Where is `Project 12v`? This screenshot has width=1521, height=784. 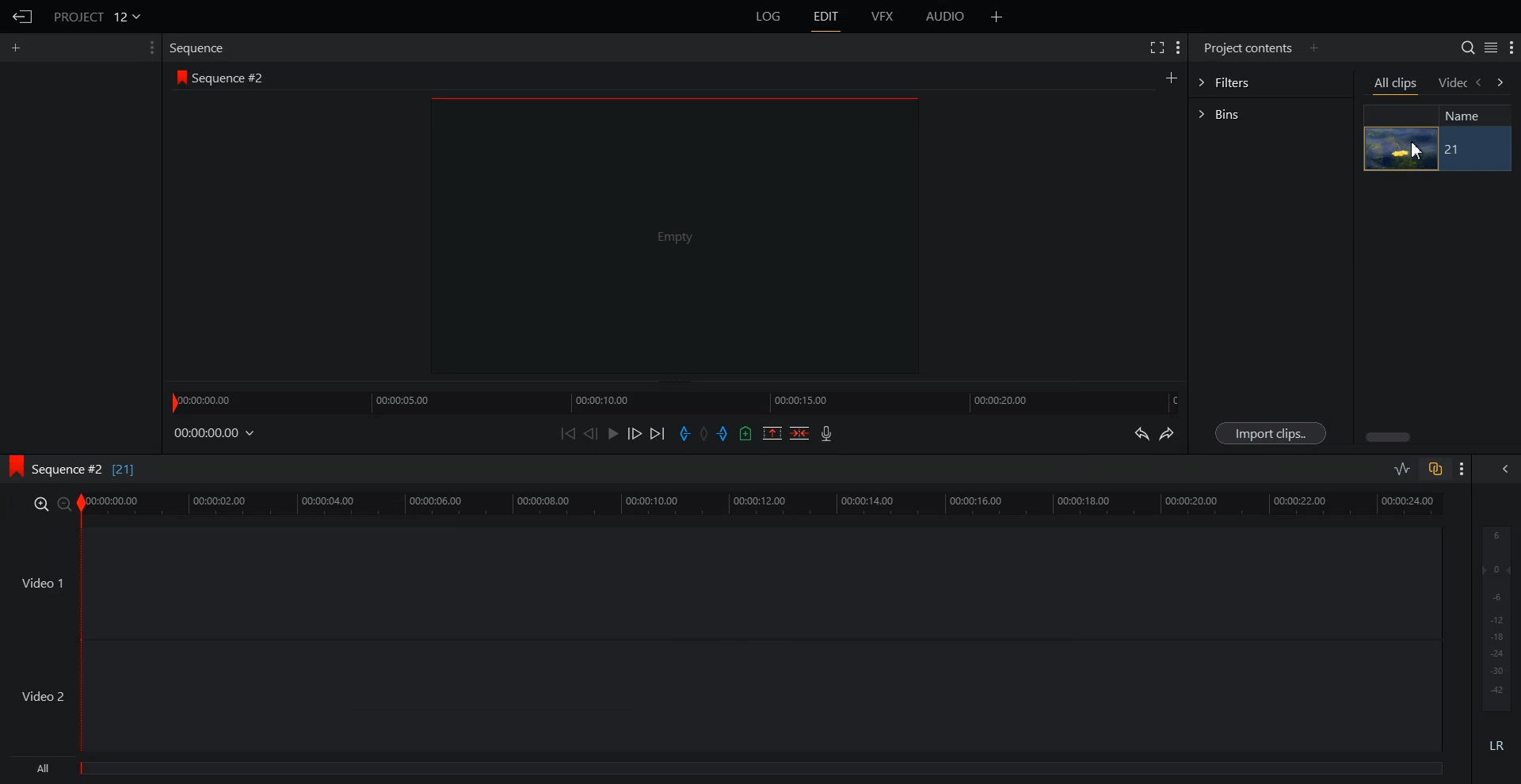
Project 12v is located at coordinates (97, 16).